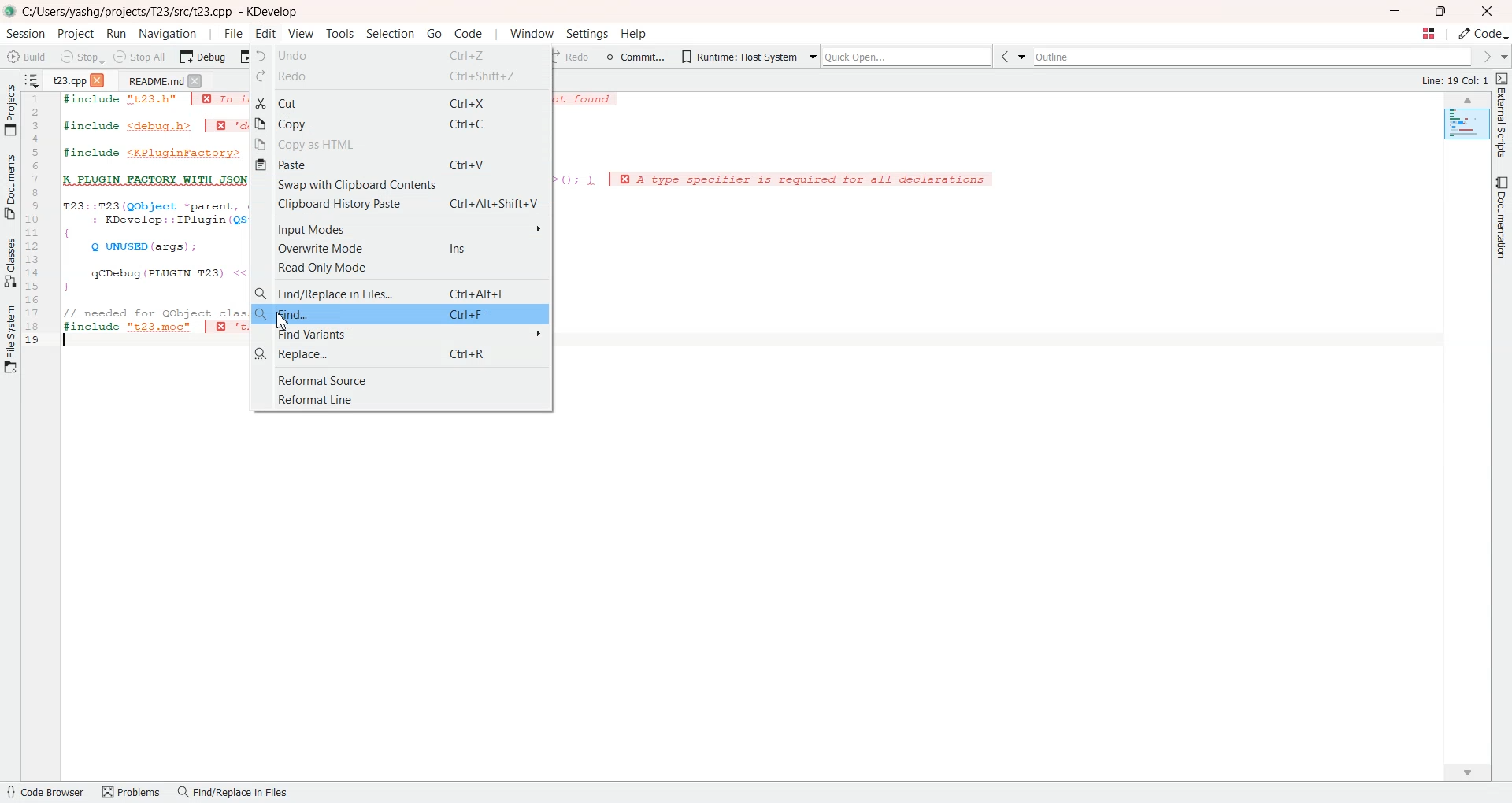  I want to click on Find, so click(401, 313).